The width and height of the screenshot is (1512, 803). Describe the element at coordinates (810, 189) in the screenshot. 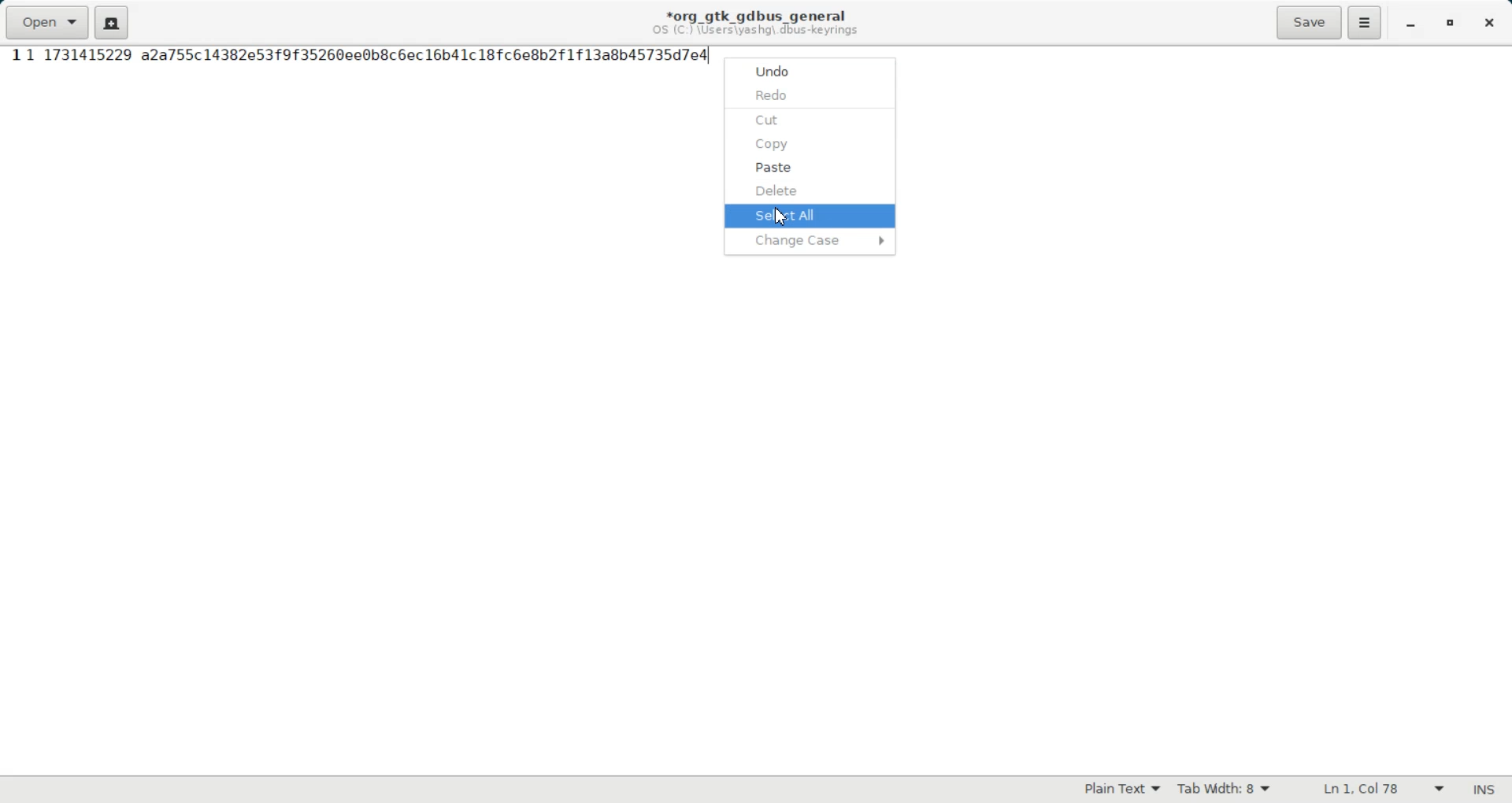

I see `Delete` at that location.